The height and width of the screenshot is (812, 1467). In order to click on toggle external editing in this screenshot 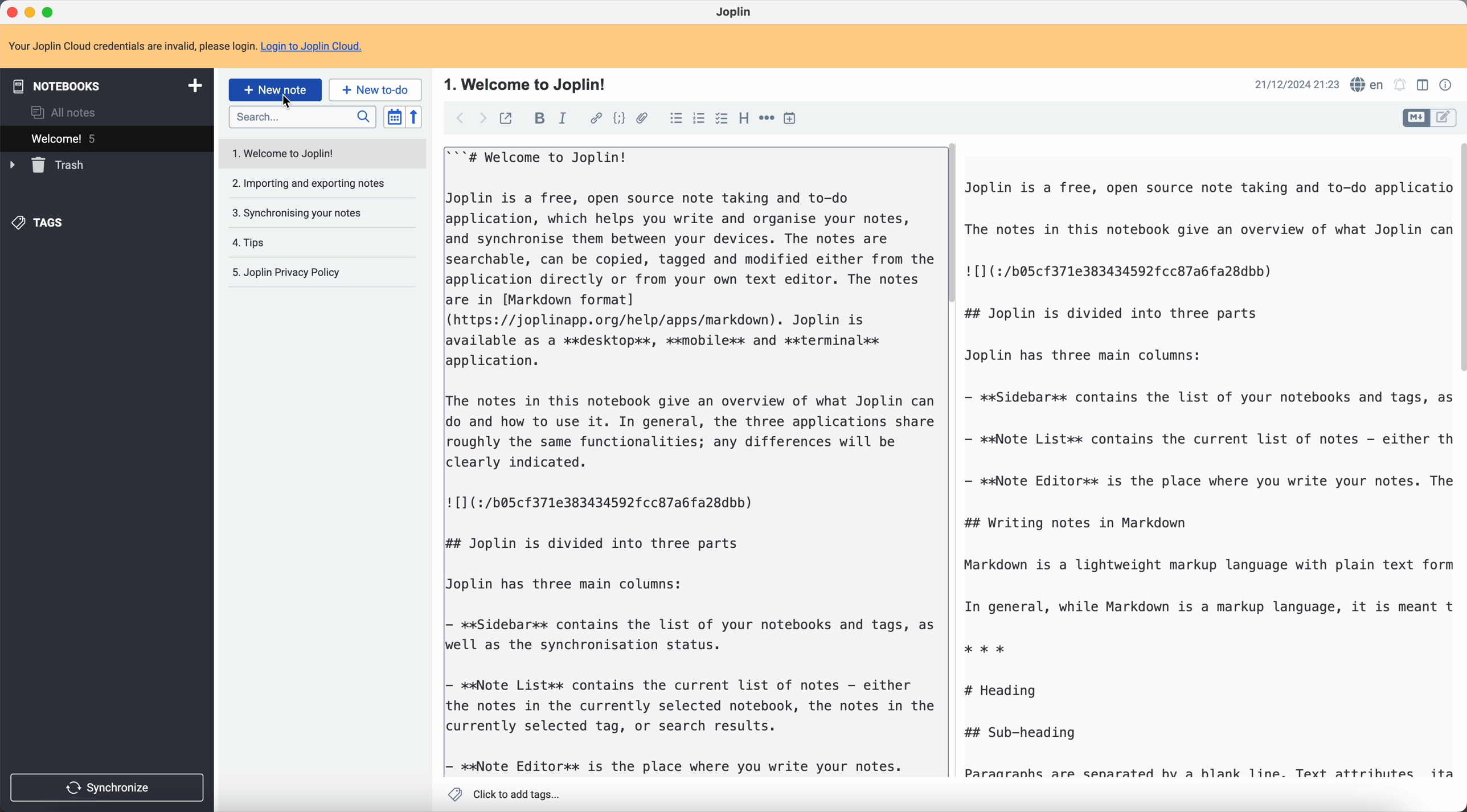, I will do `click(509, 117)`.